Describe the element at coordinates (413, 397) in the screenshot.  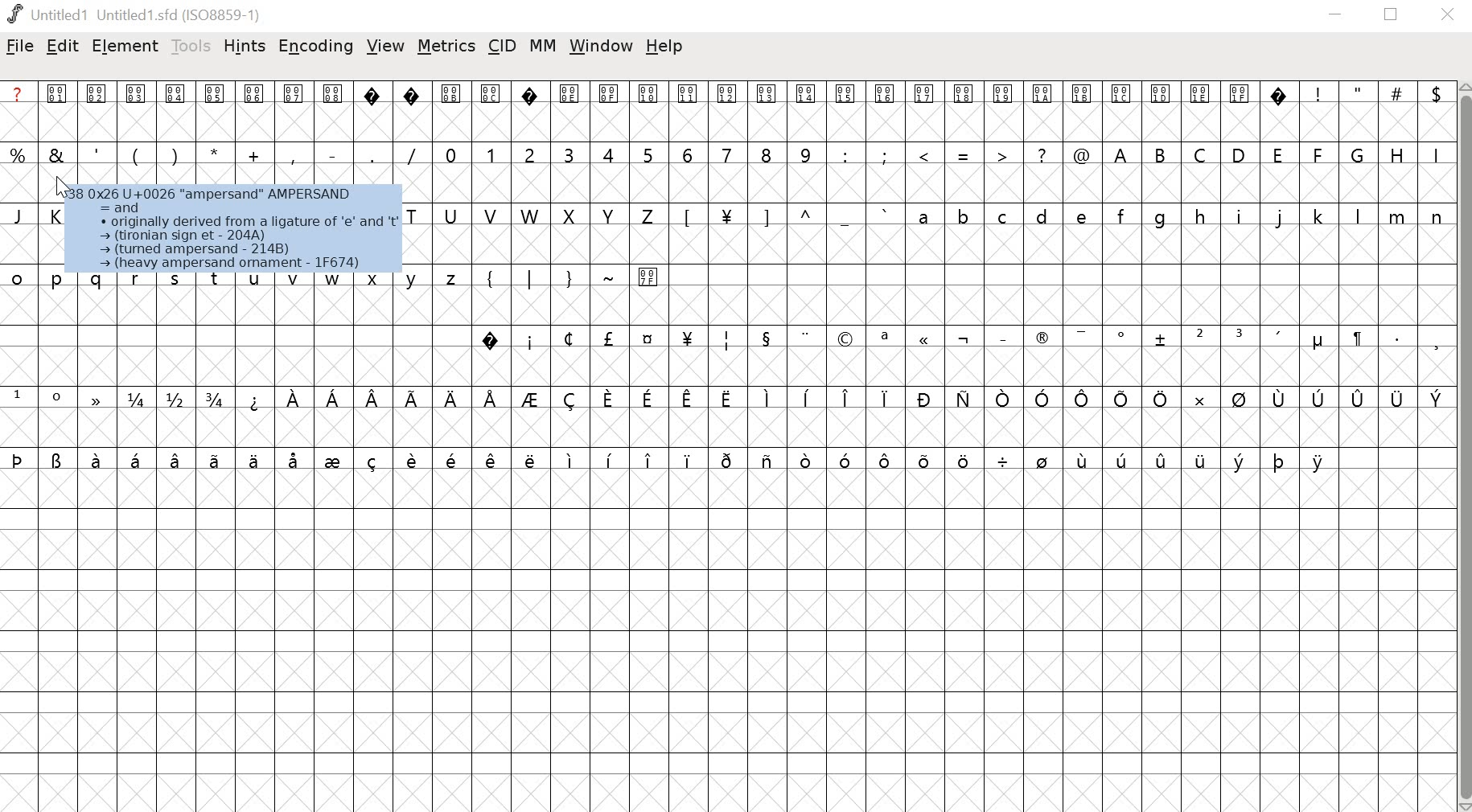
I see `symbol` at that location.